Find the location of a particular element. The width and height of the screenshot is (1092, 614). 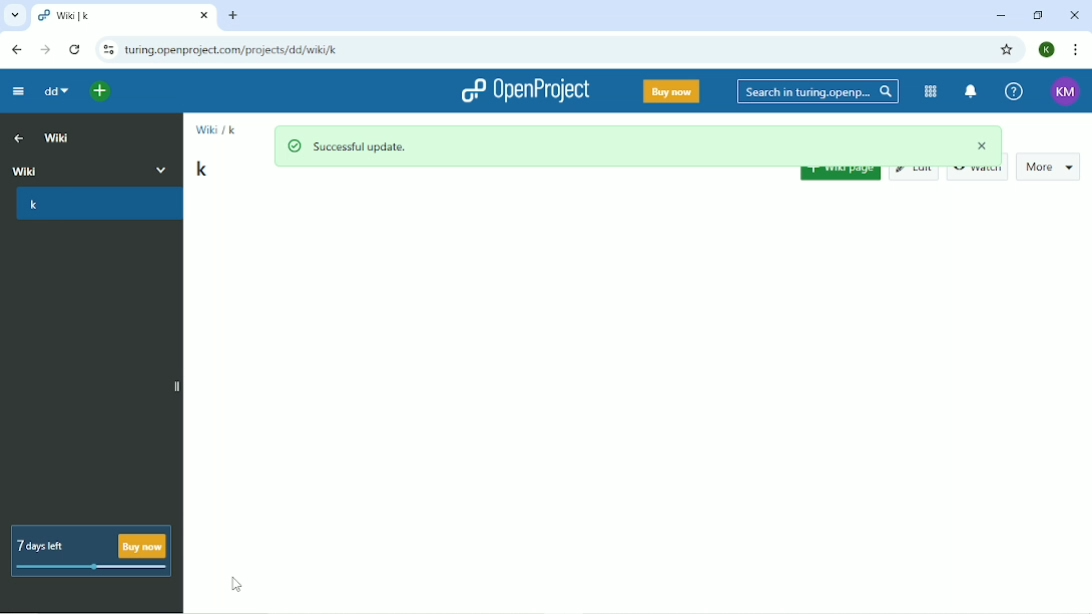

Watch is located at coordinates (976, 169).